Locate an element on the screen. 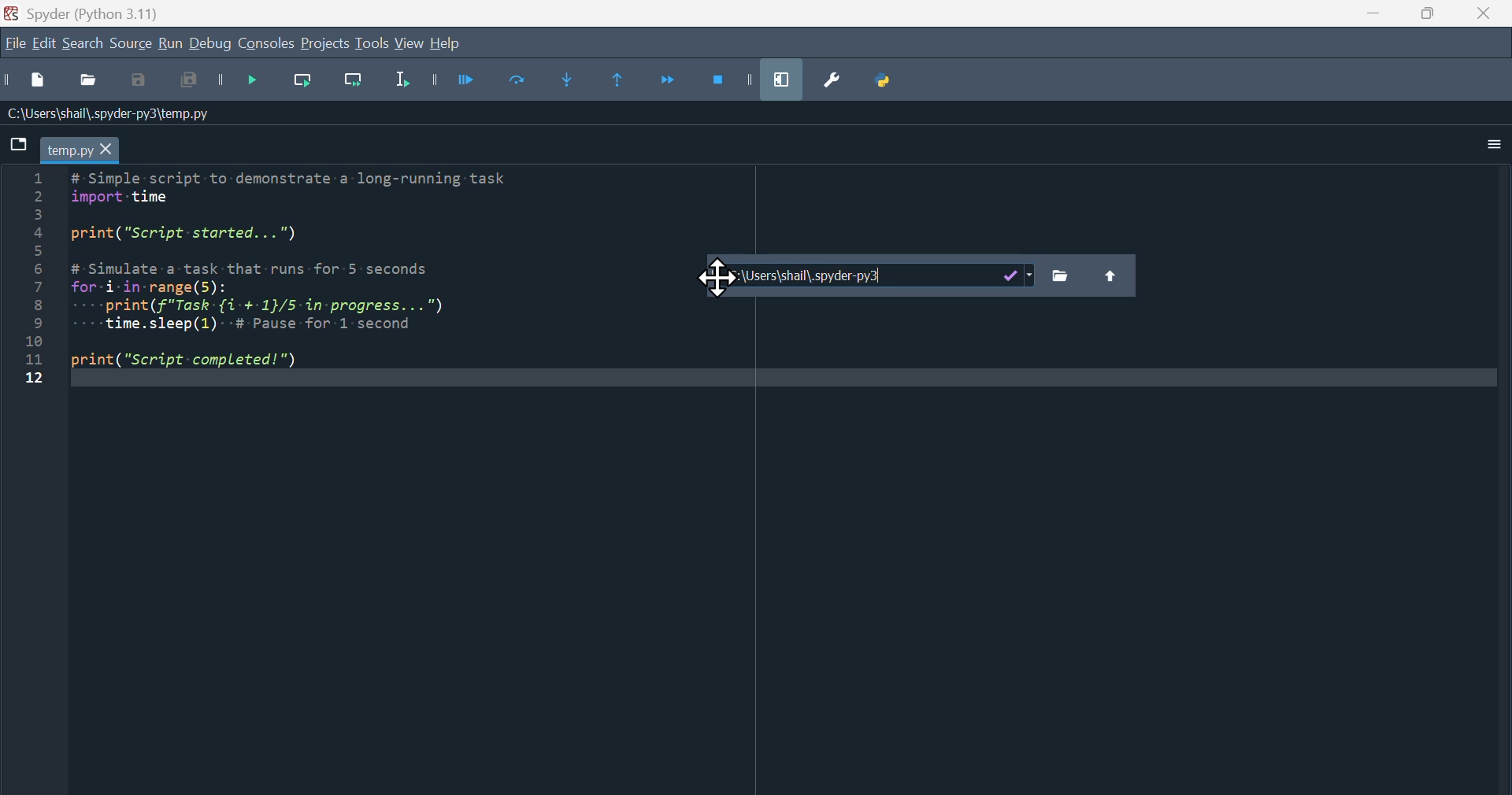 The image size is (1512, 795). Debug file is located at coordinates (258, 85).